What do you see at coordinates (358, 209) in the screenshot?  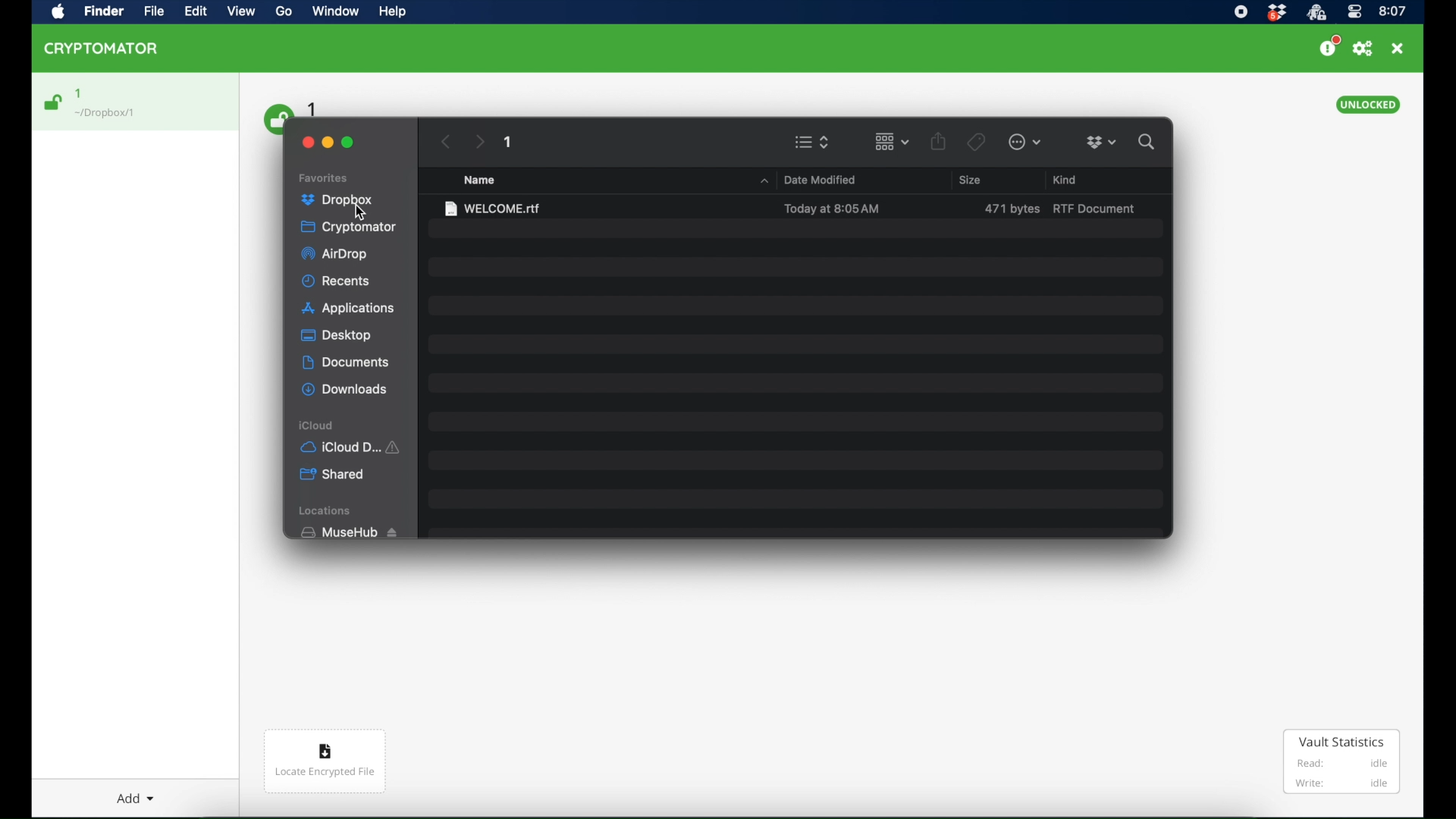 I see `cursor` at bounding box center [358, 209].